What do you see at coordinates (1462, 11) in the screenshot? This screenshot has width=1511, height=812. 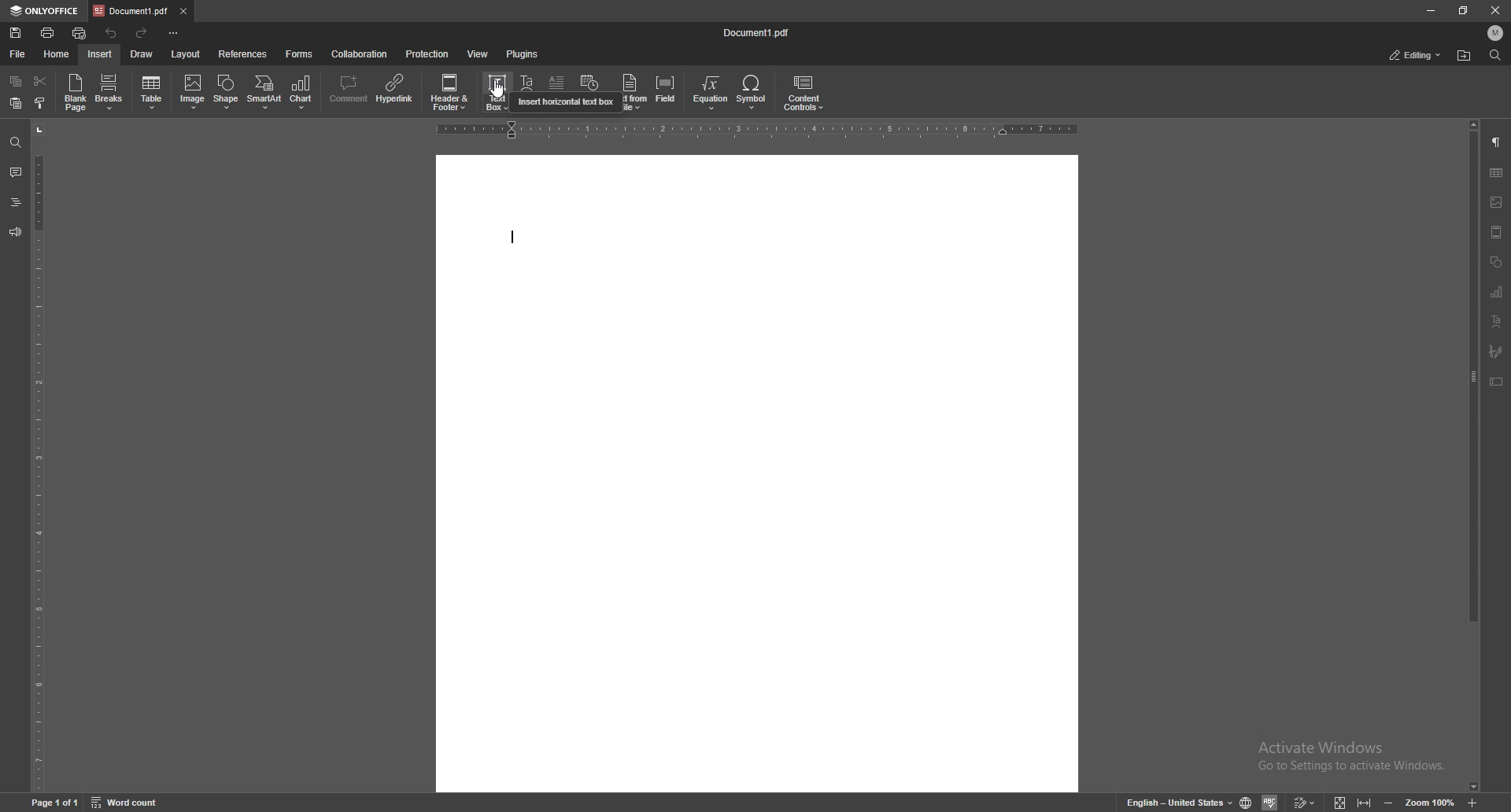 I see `resize` at bounding box center [1462, 11].